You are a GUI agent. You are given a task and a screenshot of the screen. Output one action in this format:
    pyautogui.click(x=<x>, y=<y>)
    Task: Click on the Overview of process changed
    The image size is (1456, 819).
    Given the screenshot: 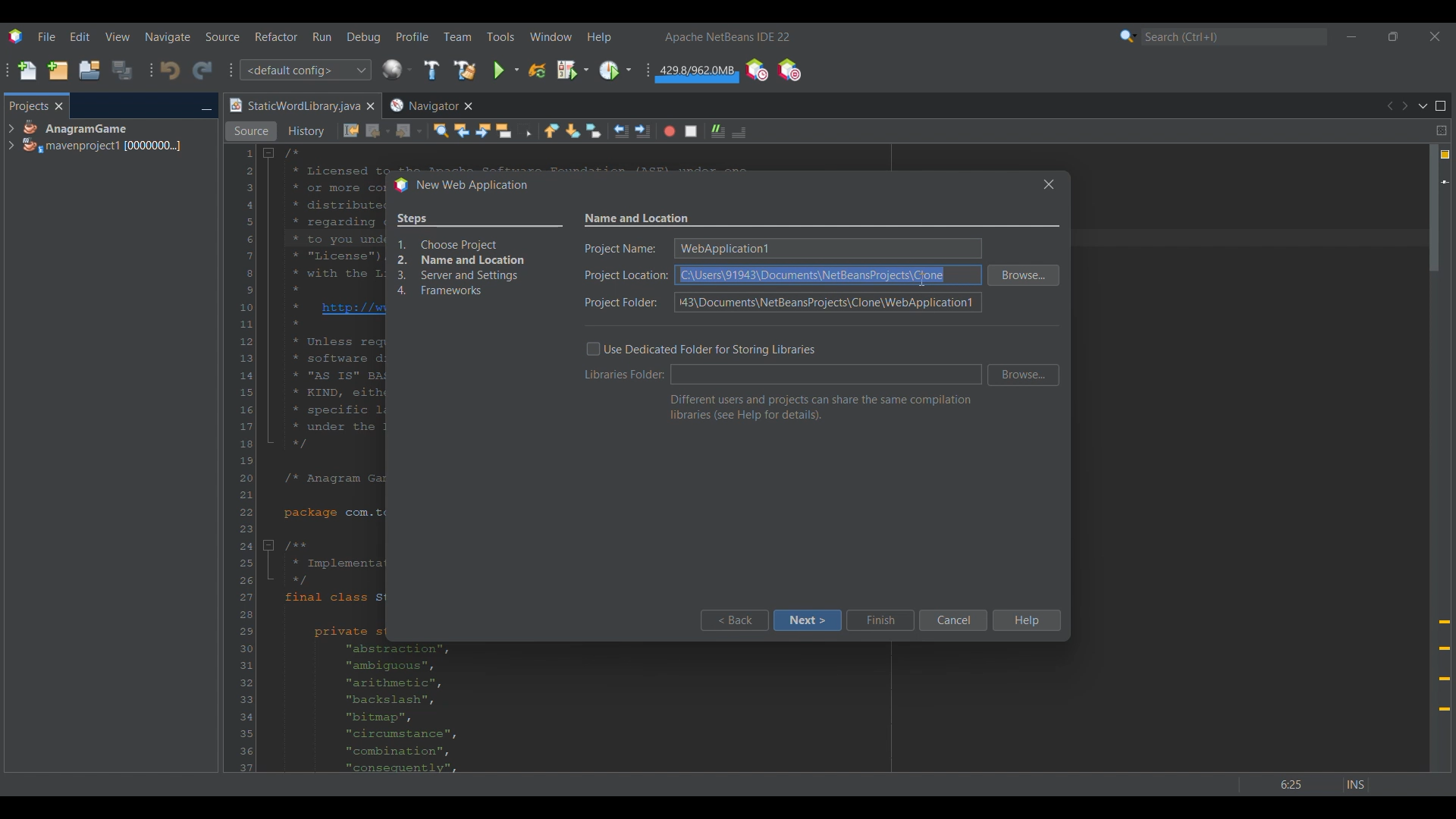 What is the action you would take?
    pyautogui.click(x=479, y=256)
    